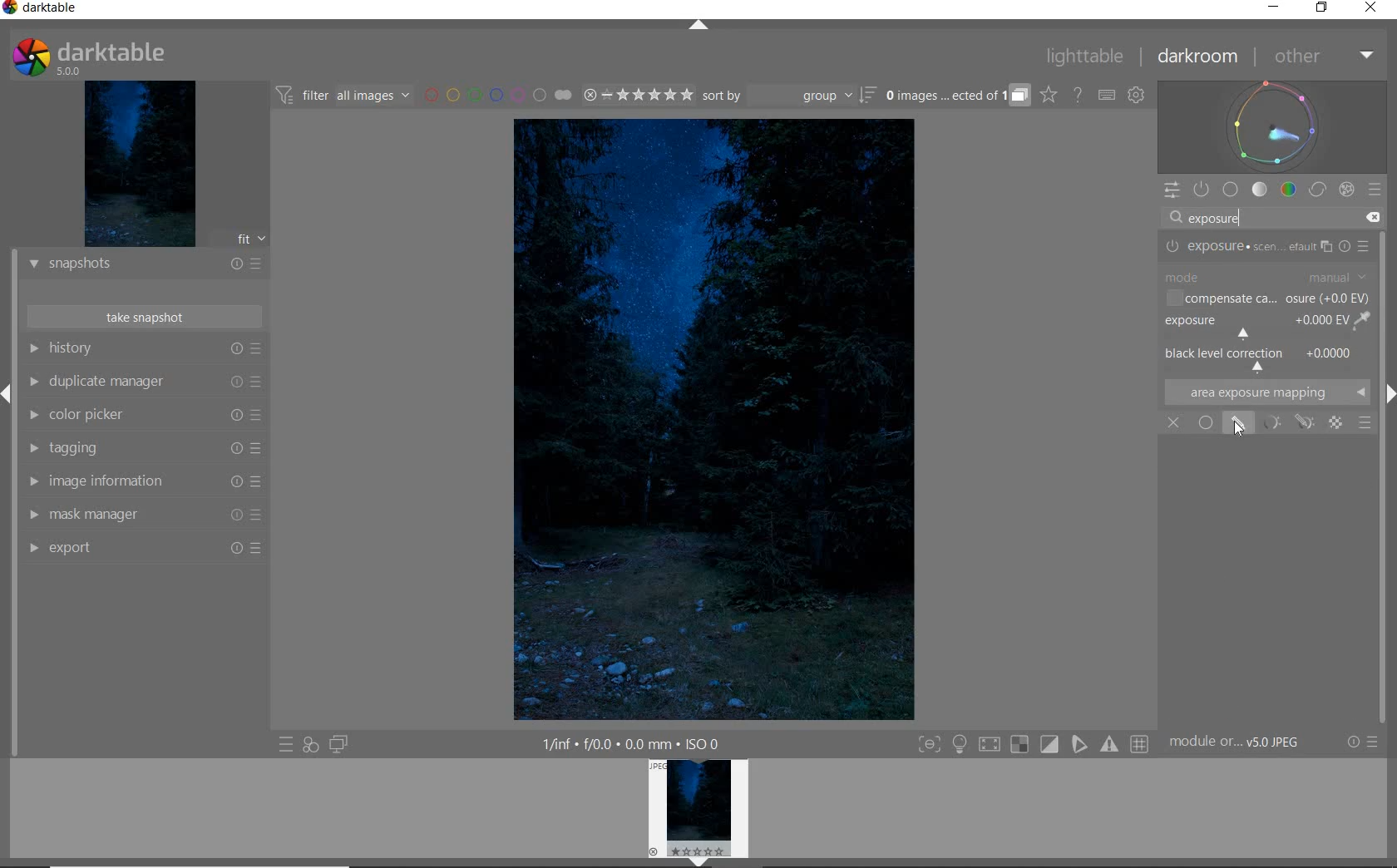  I want to click on SORT, so click(789, 96).